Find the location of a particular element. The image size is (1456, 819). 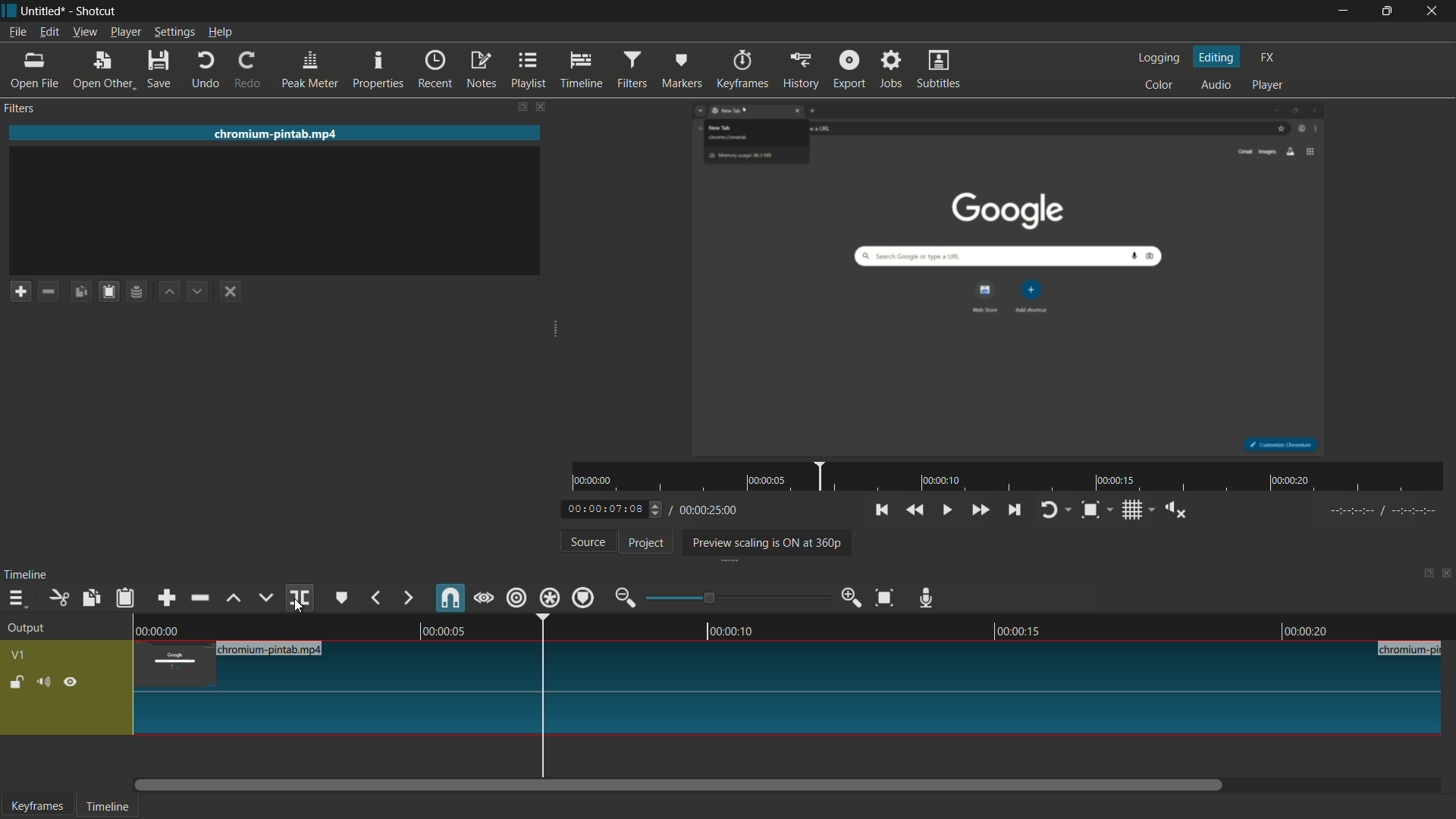

peak meter is located at coordinates (309, 71).